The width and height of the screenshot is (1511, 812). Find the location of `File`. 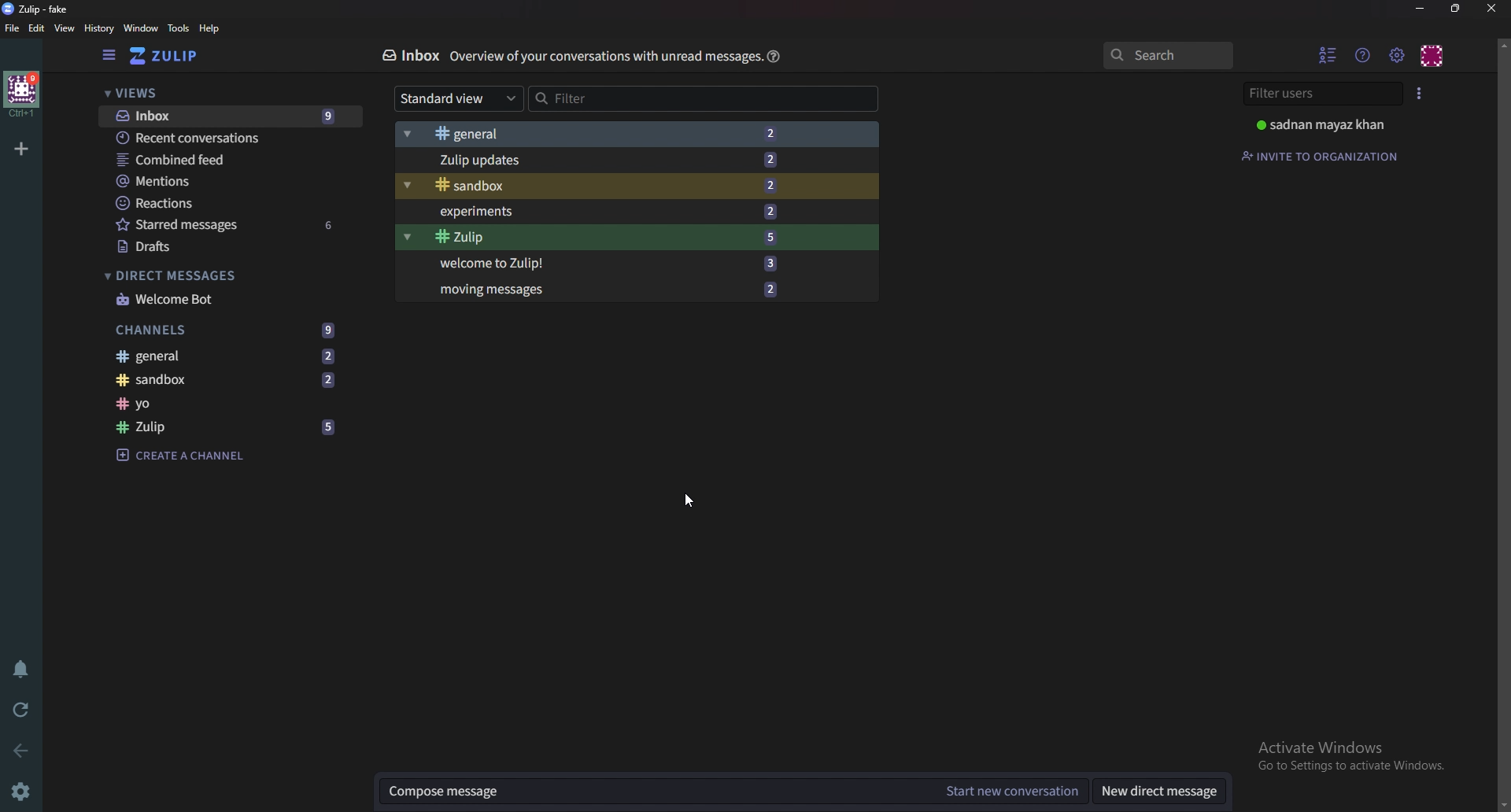

File is located at coordinates (13, 28).